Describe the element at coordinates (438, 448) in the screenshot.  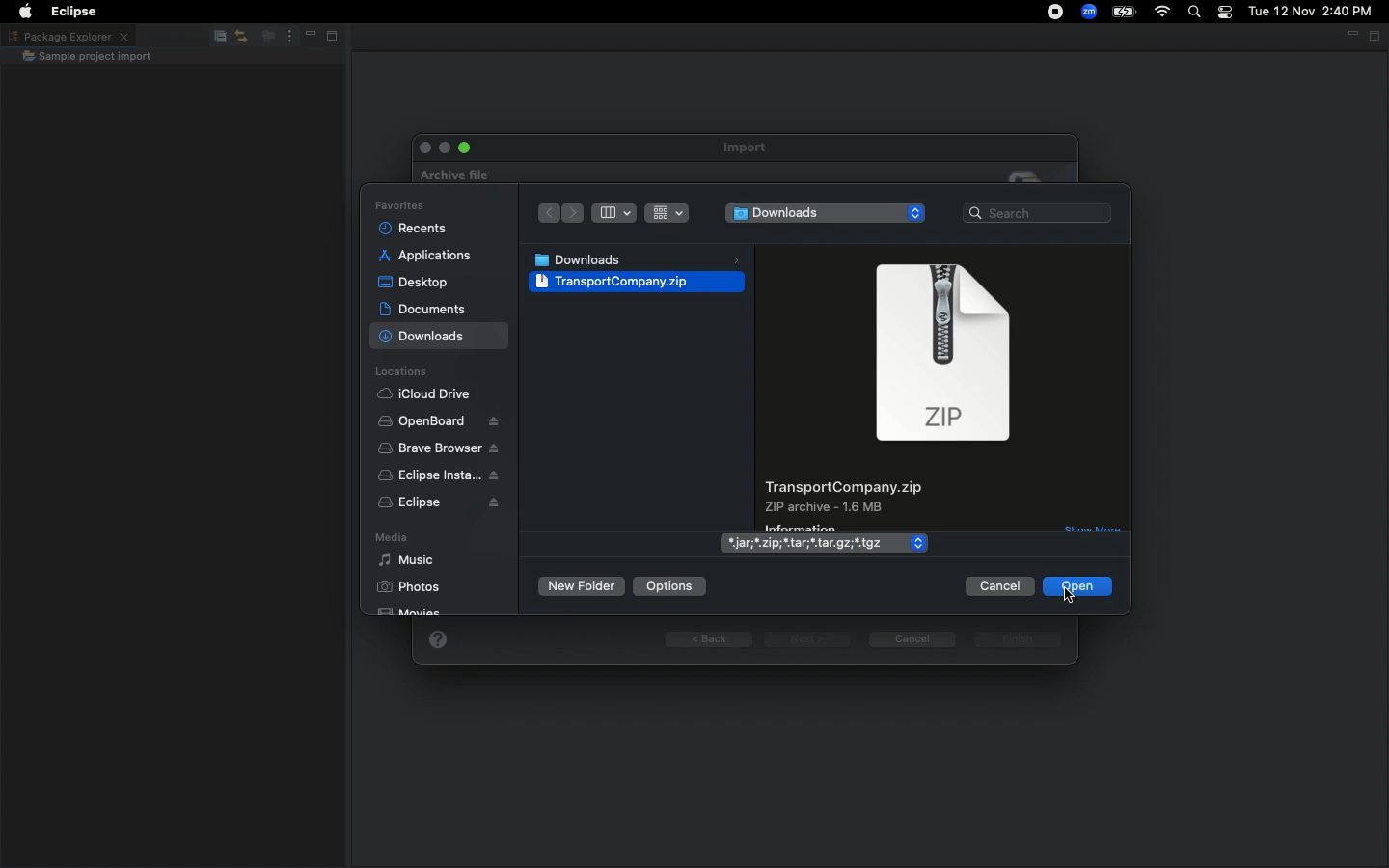
I see `Brave browser` at that location.